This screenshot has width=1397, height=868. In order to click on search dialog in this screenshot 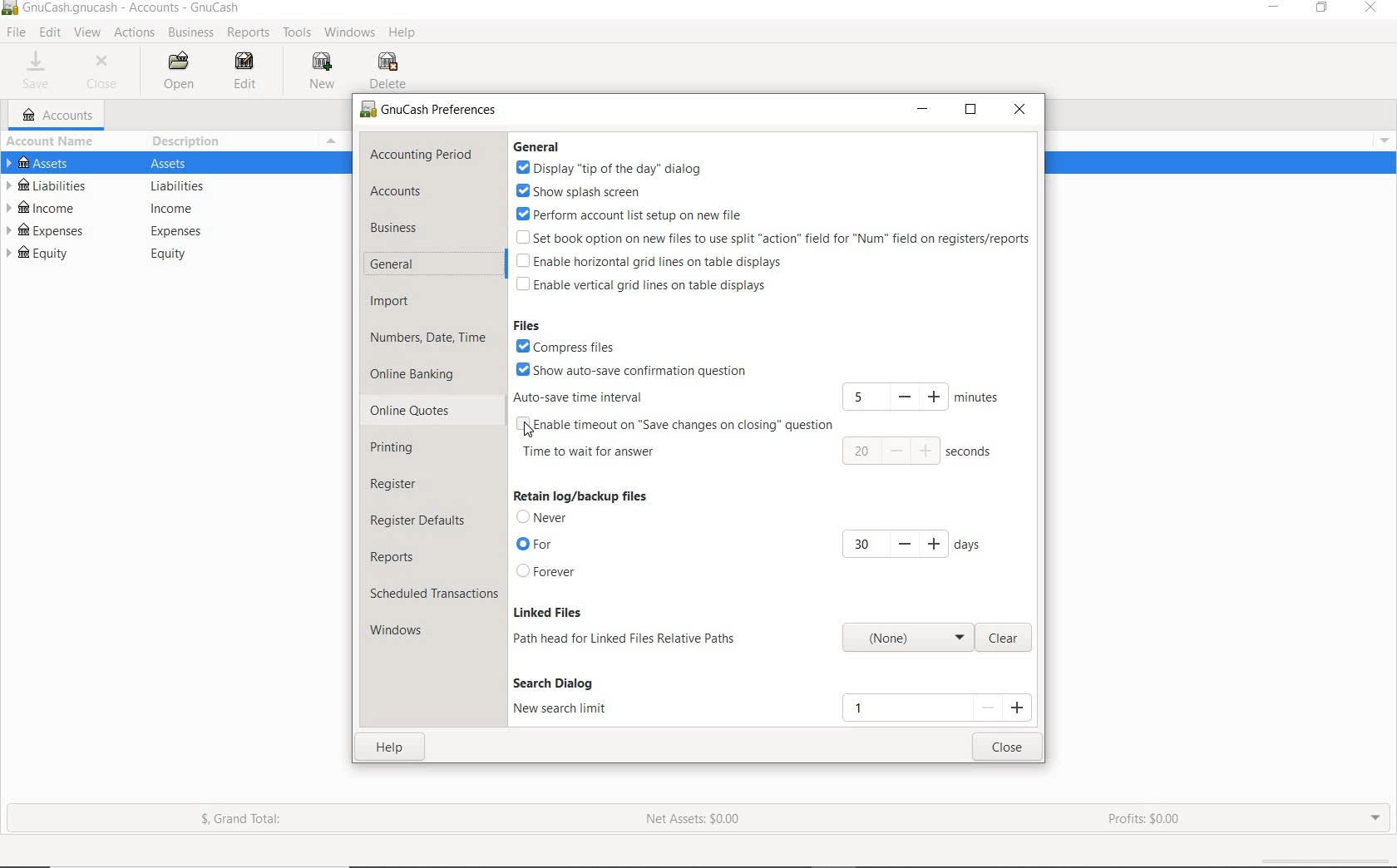, I will do `click(561, 683)`.